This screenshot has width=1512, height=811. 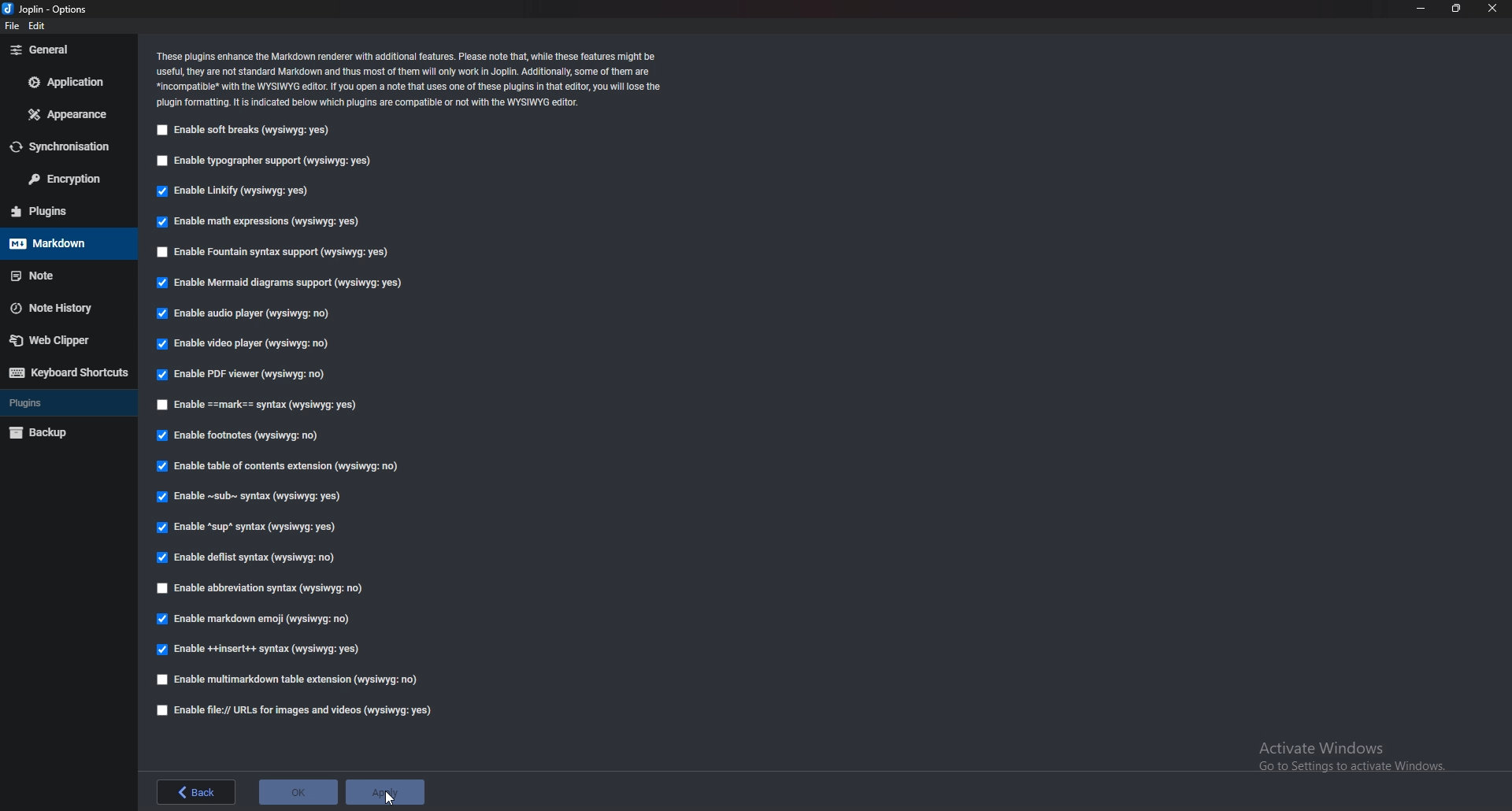 I want to click on Enable P D F viewer, so click(x=239, y=375).